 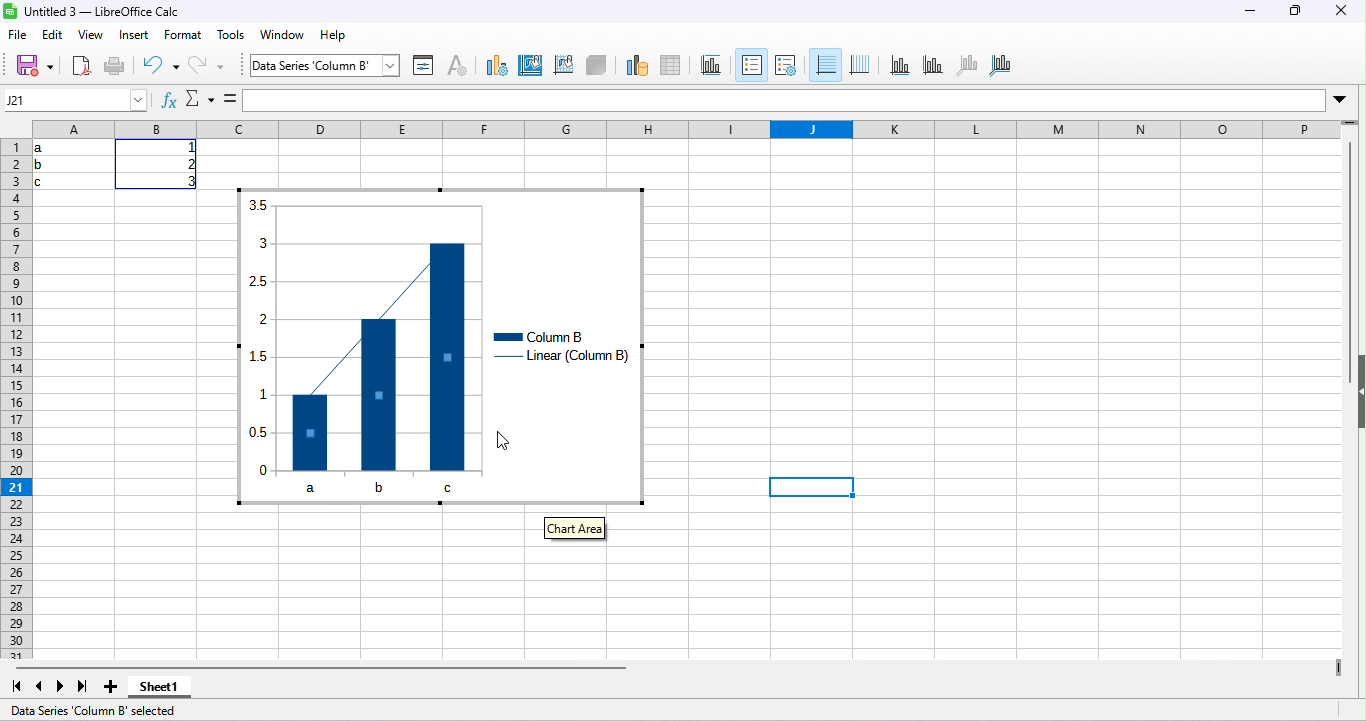 What do you see at coordinates (1357, 392) in the screenshot?
I see `height` at bounding box center [1357, 392].